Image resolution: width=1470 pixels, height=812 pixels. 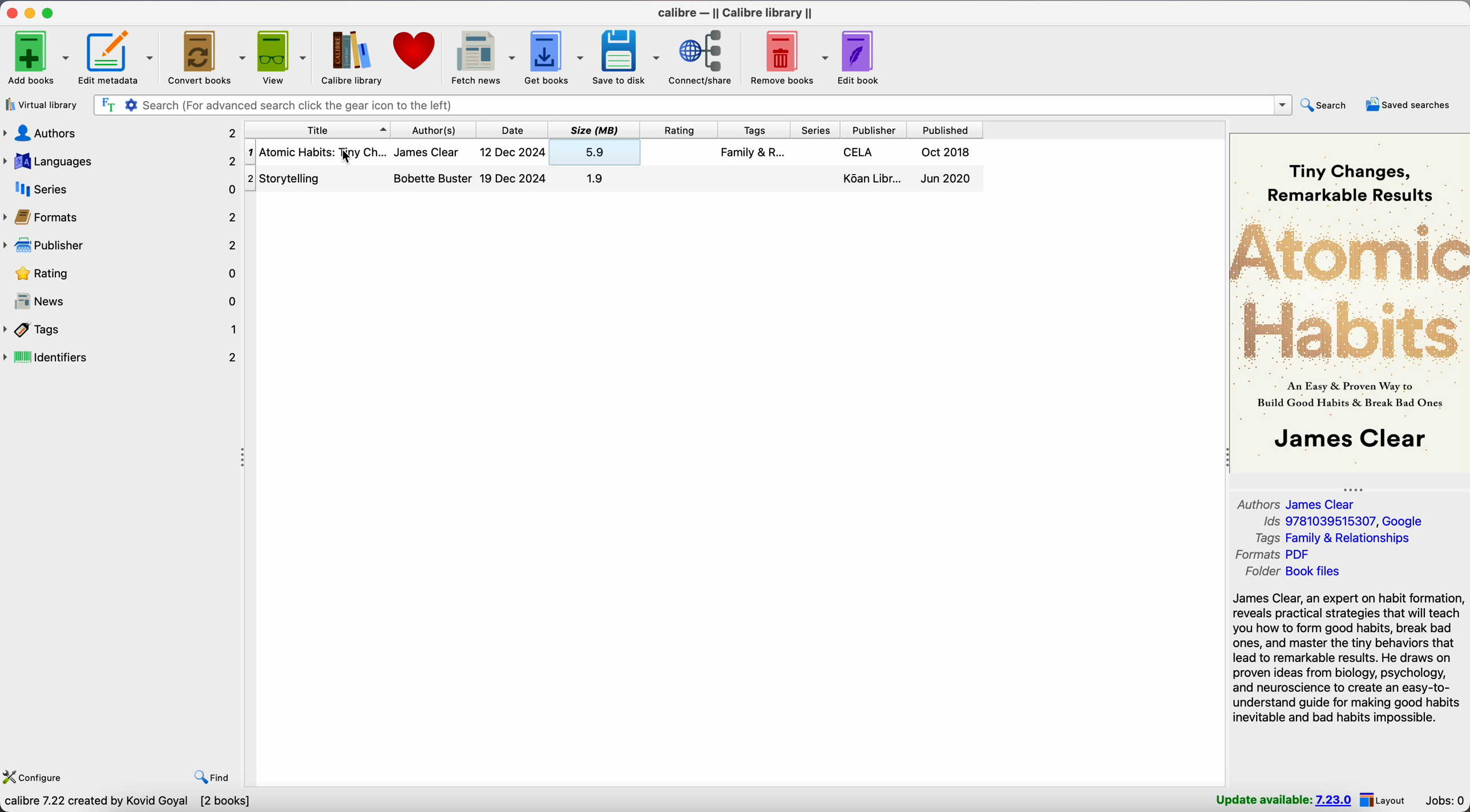 What do you see at coordinates (205, 58) in the screenshot?
I see `convert books` at bounding box center [205, 58].